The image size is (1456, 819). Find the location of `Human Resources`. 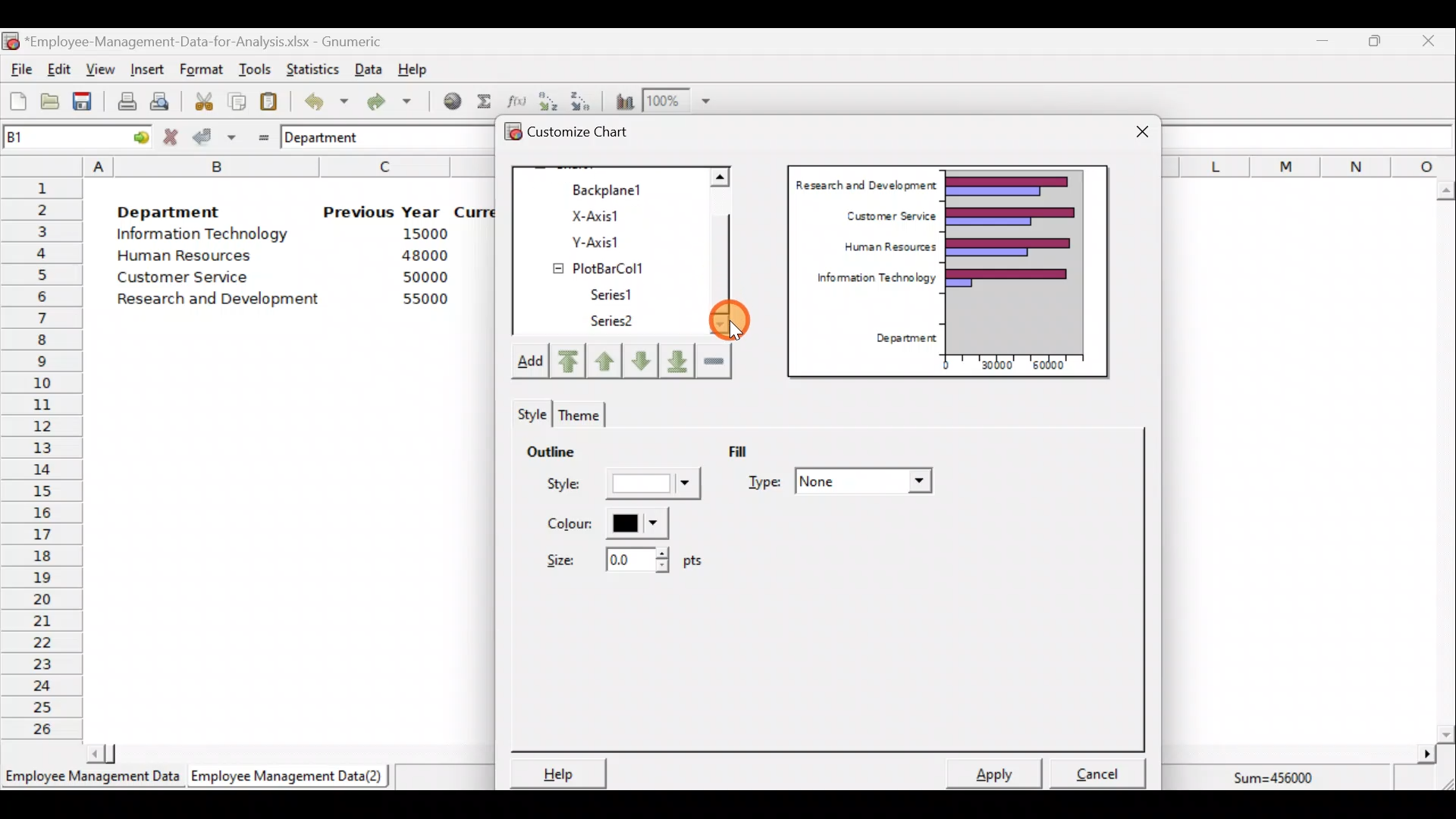

Human Resources is located at coordinates (192, 257).